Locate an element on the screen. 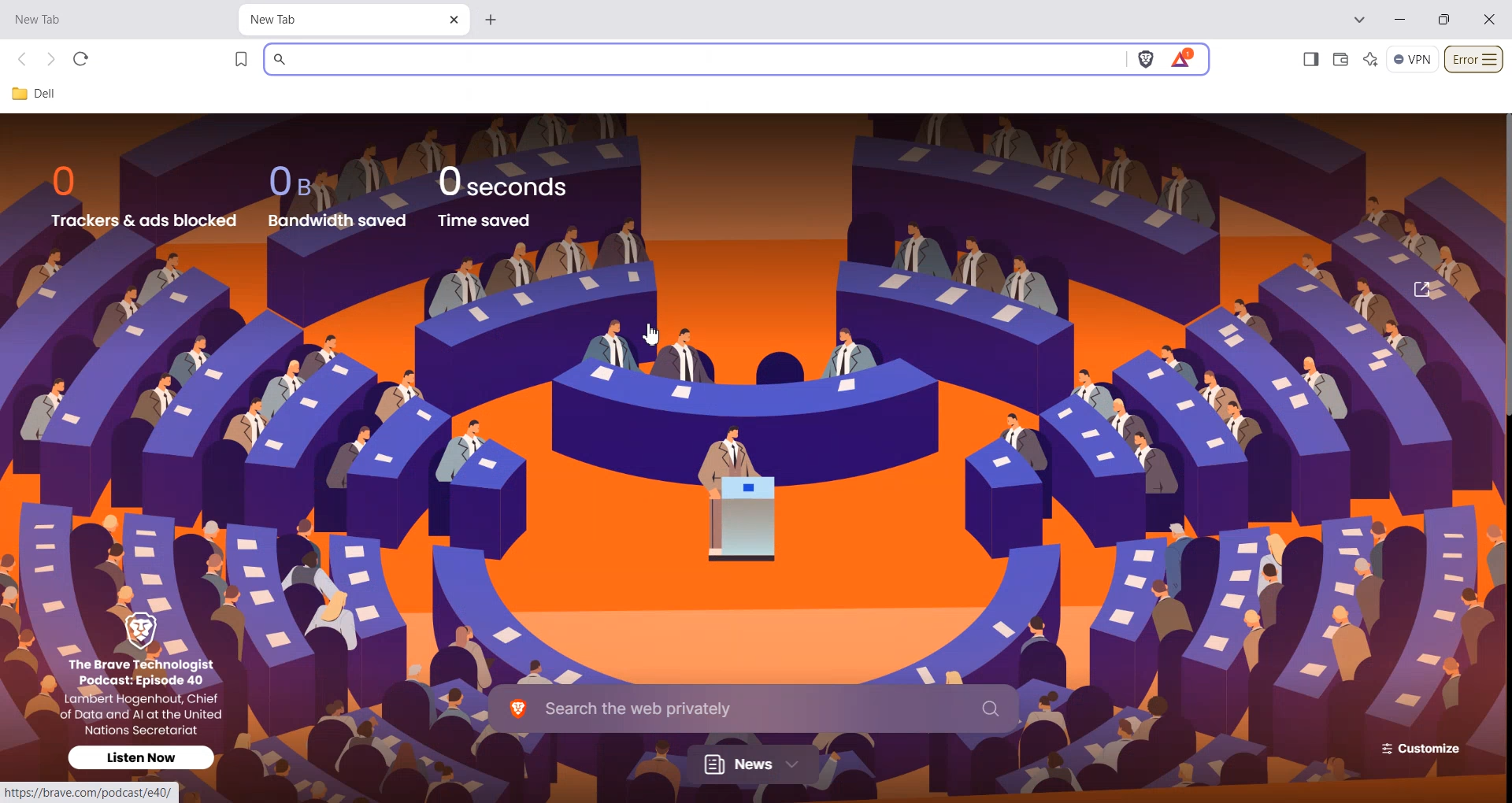  Minimize is located at coordinates (1399, 20).